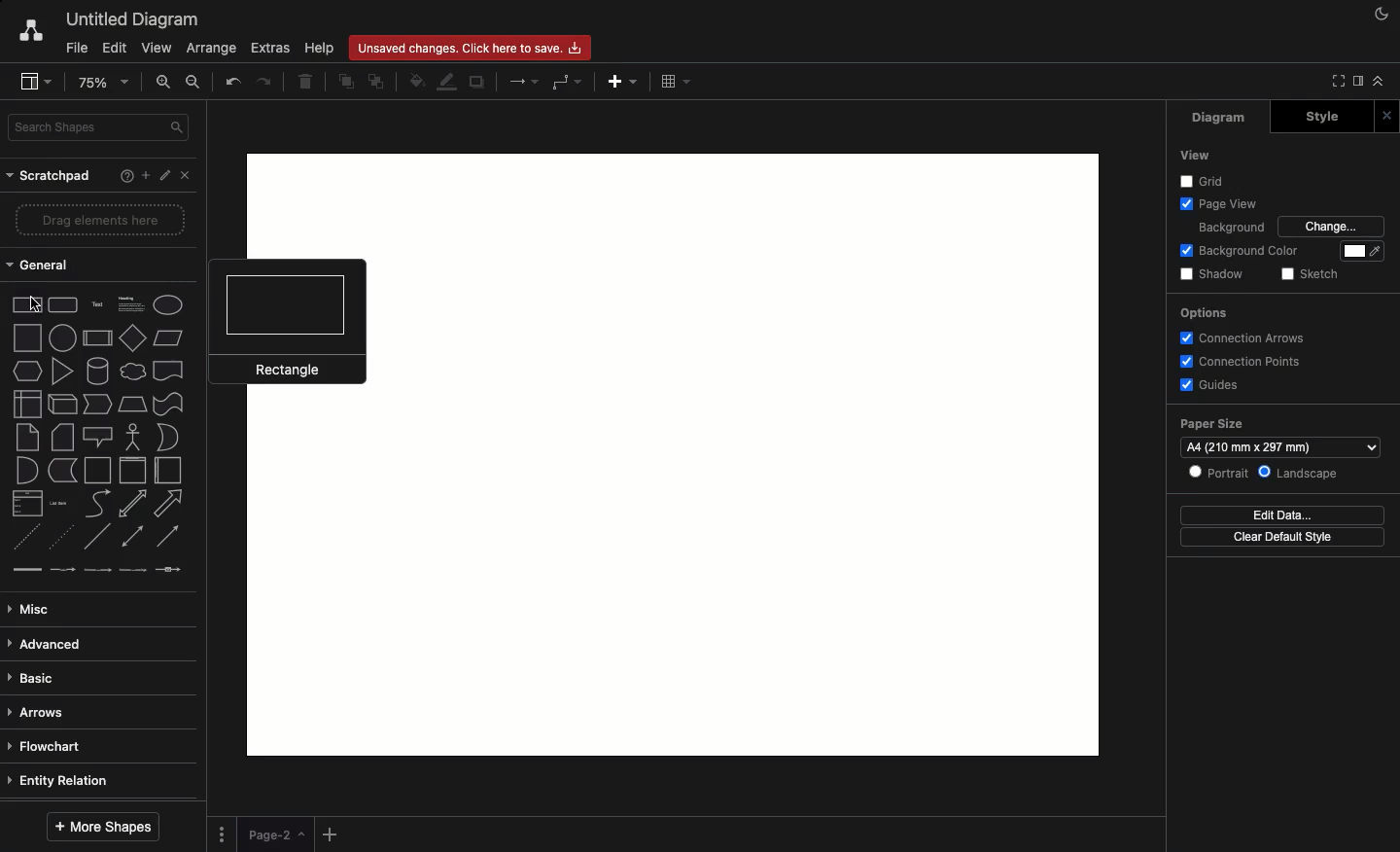  What do you see at coordinates (233, 83) in the screenshot?
I see `Undo` at bounding box center [233, 83].